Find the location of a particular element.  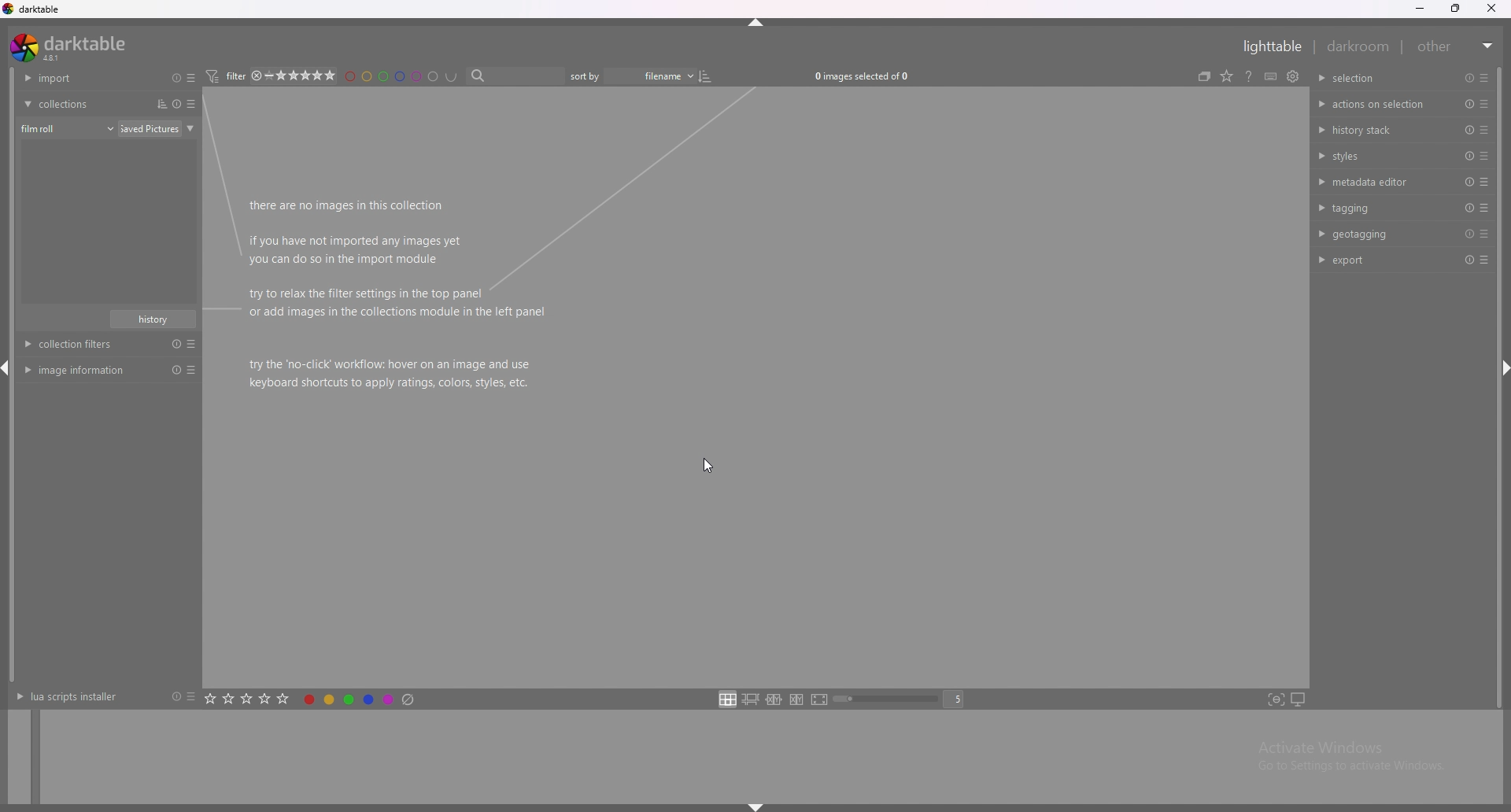

folder name is located at coordinates (160, 128).